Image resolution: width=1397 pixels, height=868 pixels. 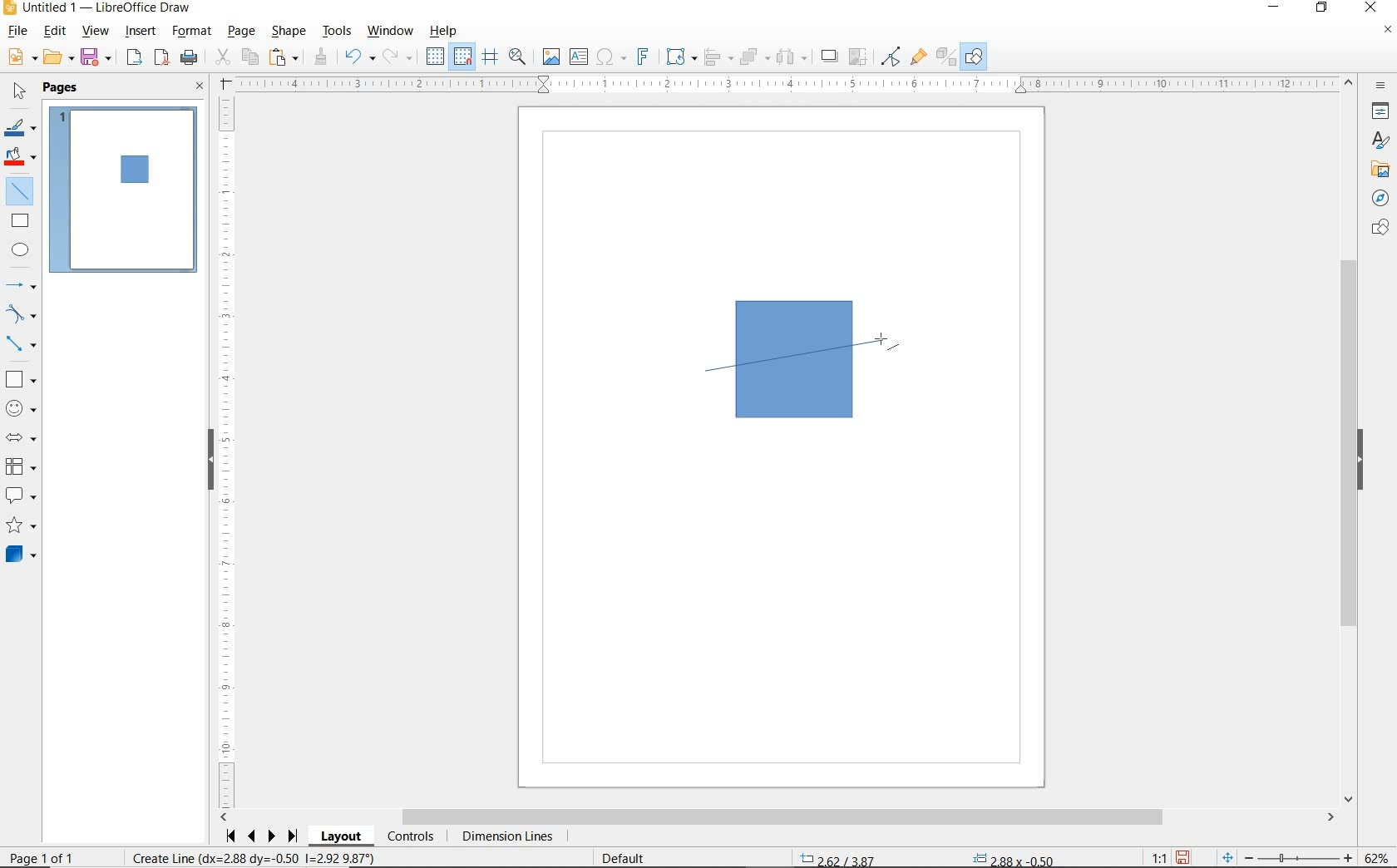 What do you see at coordinates (55, 31) in the screenshot?
I see `EDIT` at bounding box center [55, 31].